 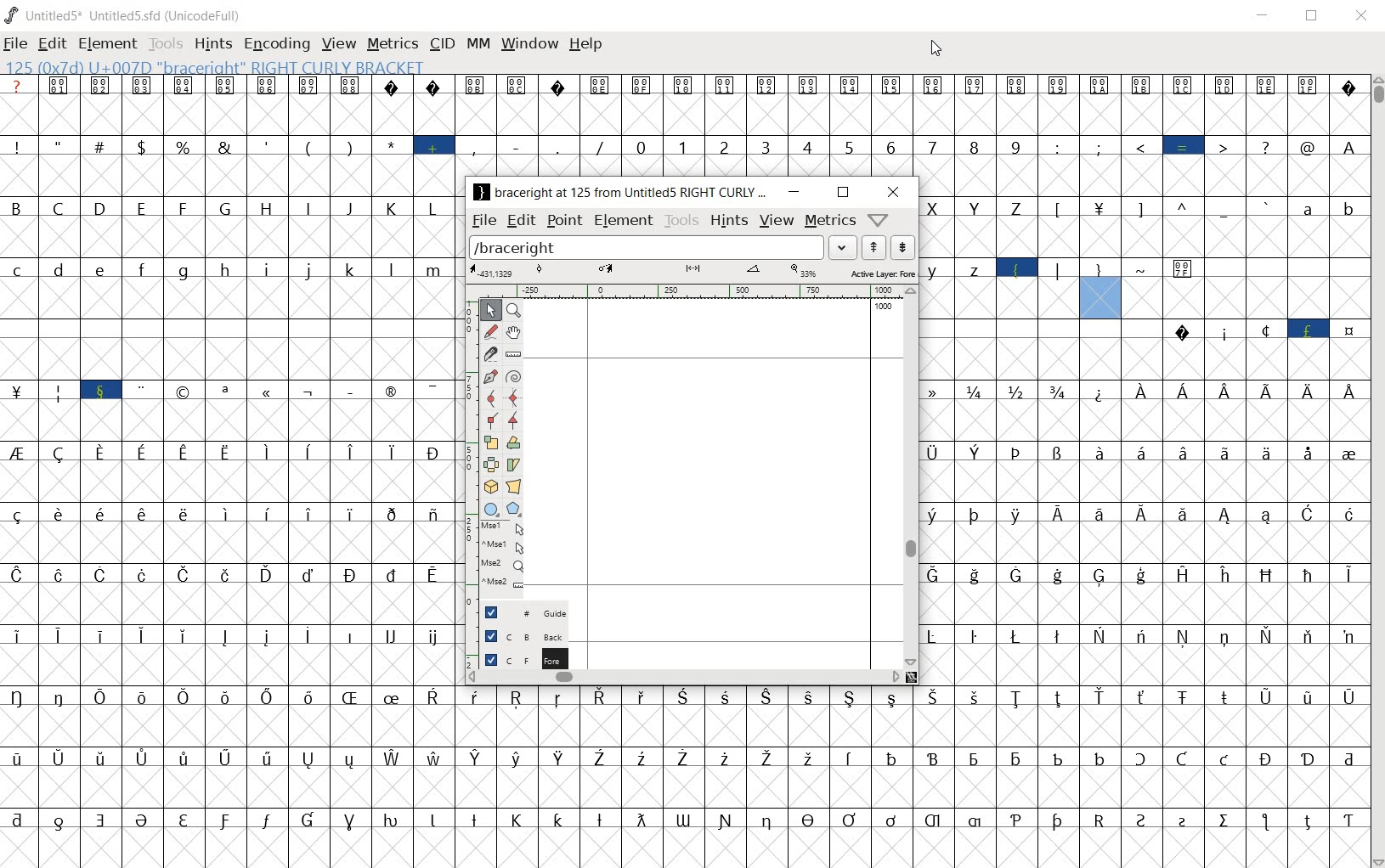 What do you see at coordinates (936, 48) in the screenshot?
I see `CURSOR` at bounding box center [936, 48].